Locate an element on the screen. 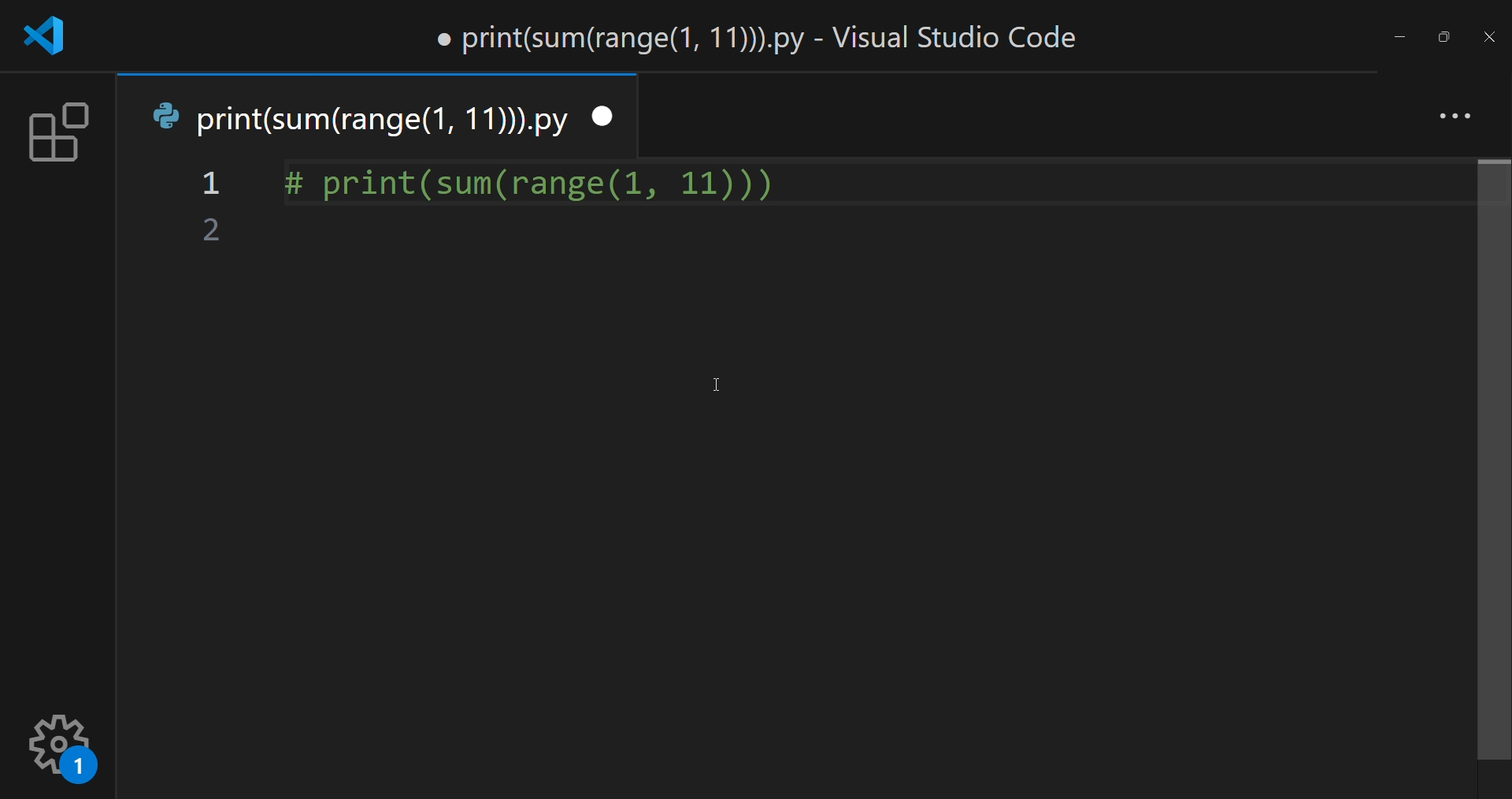  close tab is located at coordinates (606, 115).